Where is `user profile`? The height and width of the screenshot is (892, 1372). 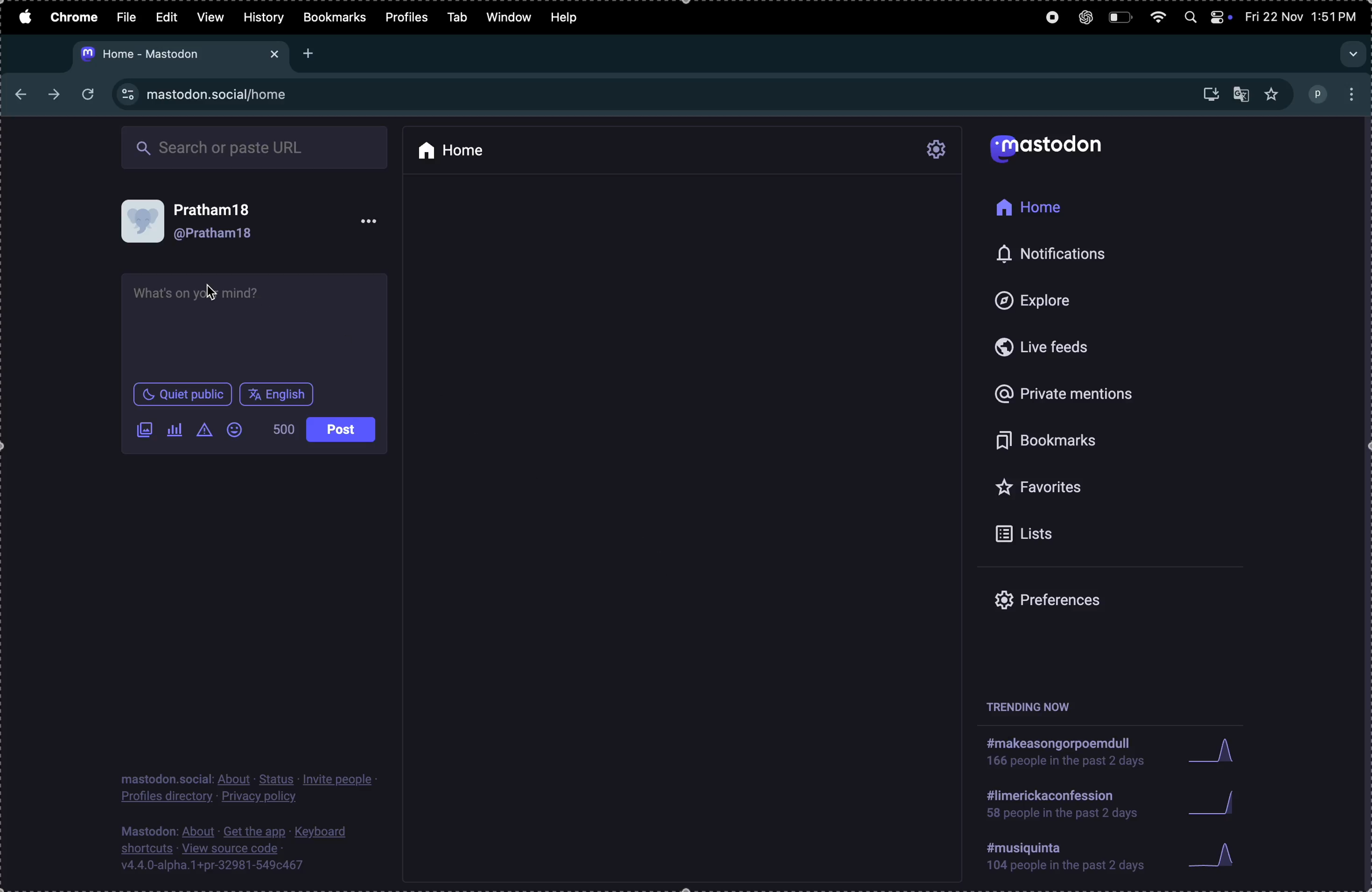
user profile is located at coordinates (252, 219).